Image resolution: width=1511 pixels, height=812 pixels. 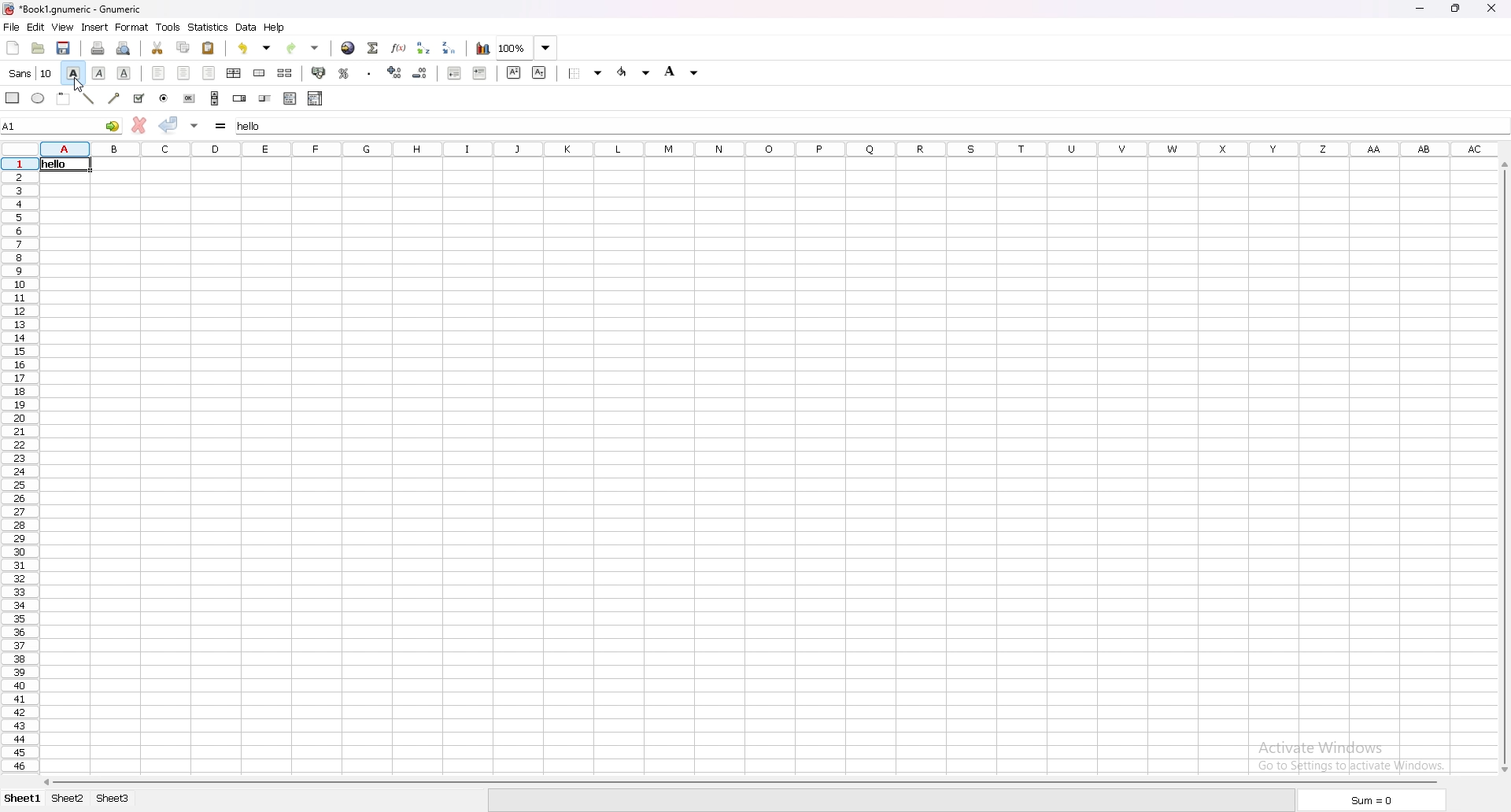 I want to click on combo box, so click(x=315, y=98).